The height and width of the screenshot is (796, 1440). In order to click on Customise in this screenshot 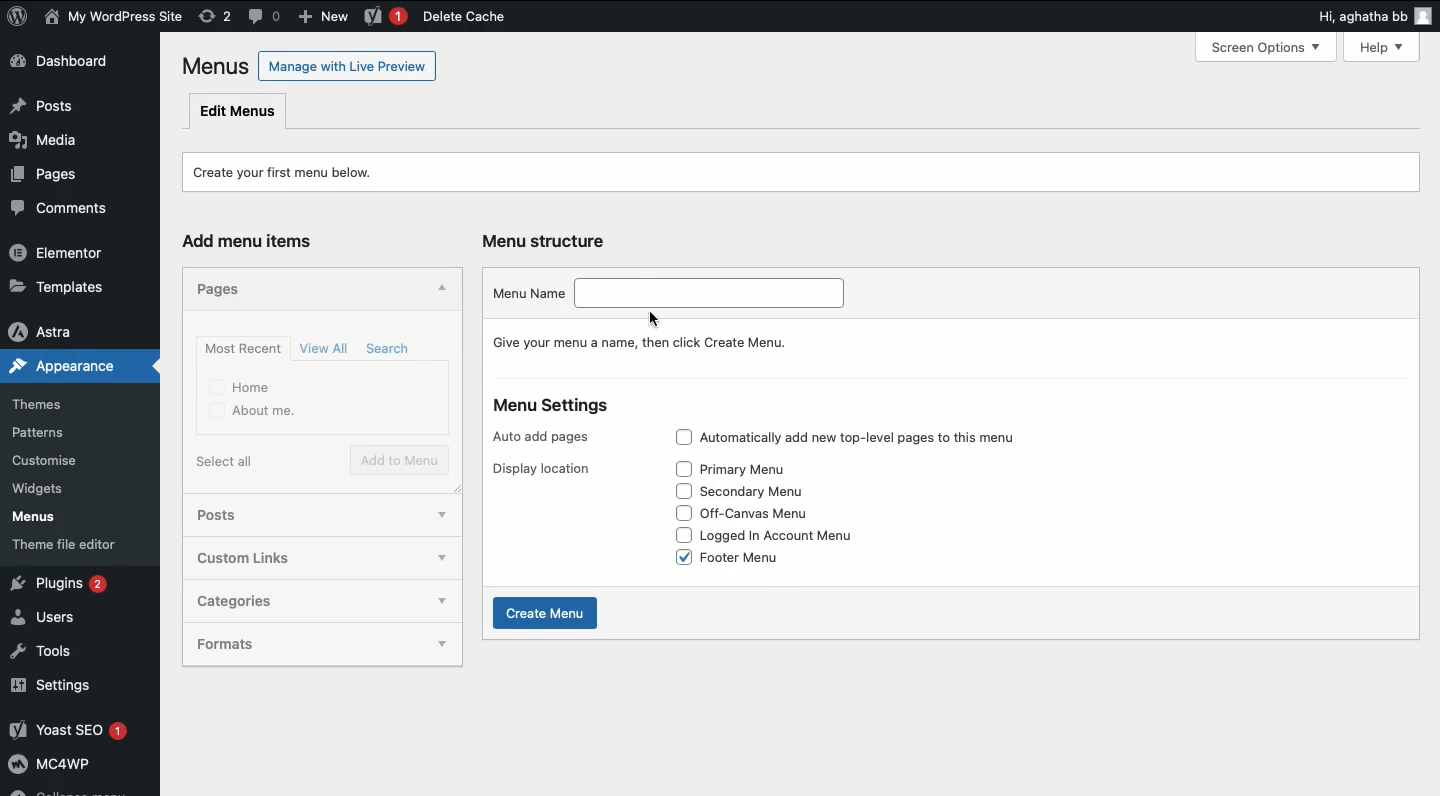, I will do `click(43, 462)`.